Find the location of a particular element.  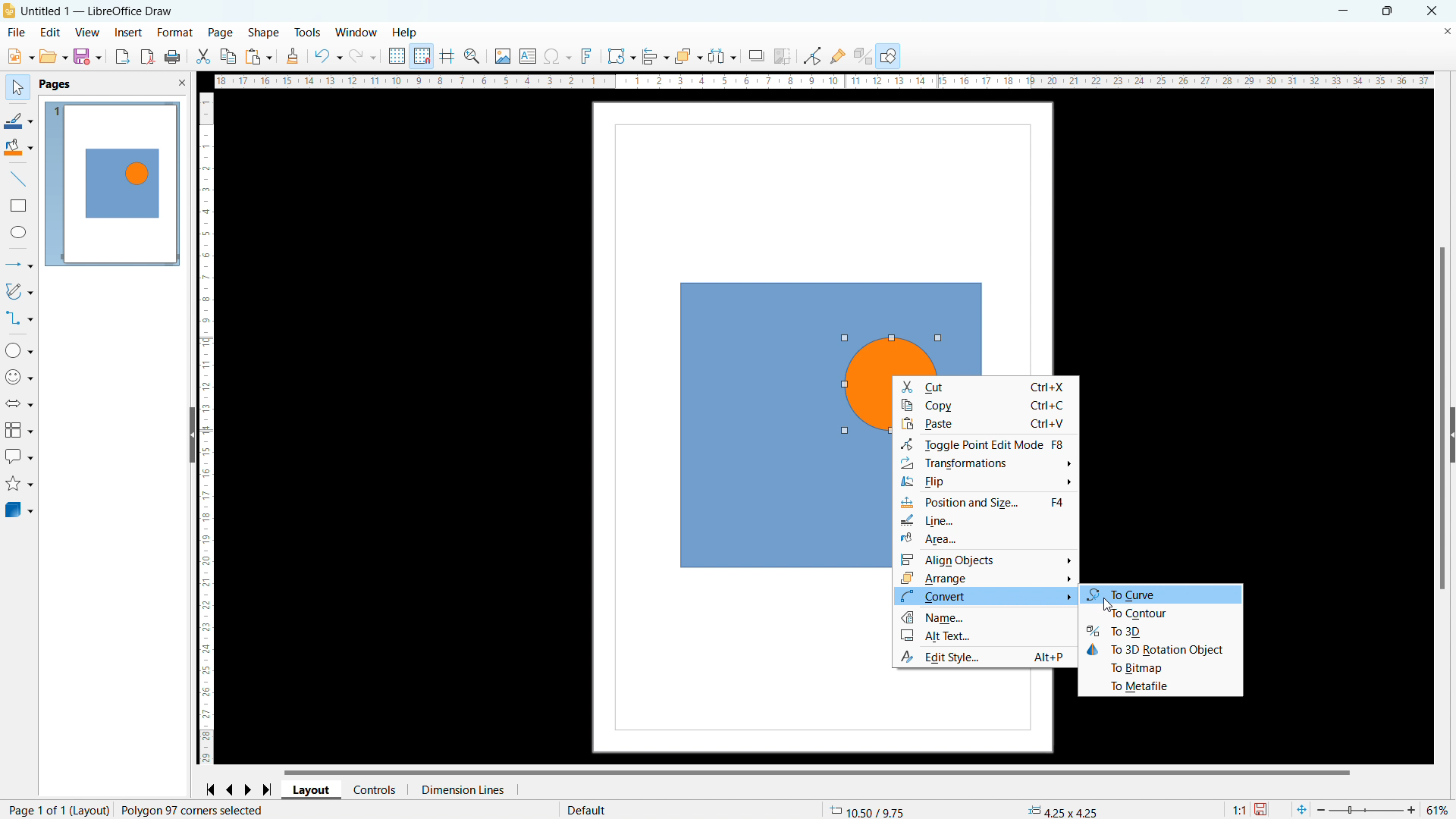

vertical scrollbar is located at coordinates (1445, 419).